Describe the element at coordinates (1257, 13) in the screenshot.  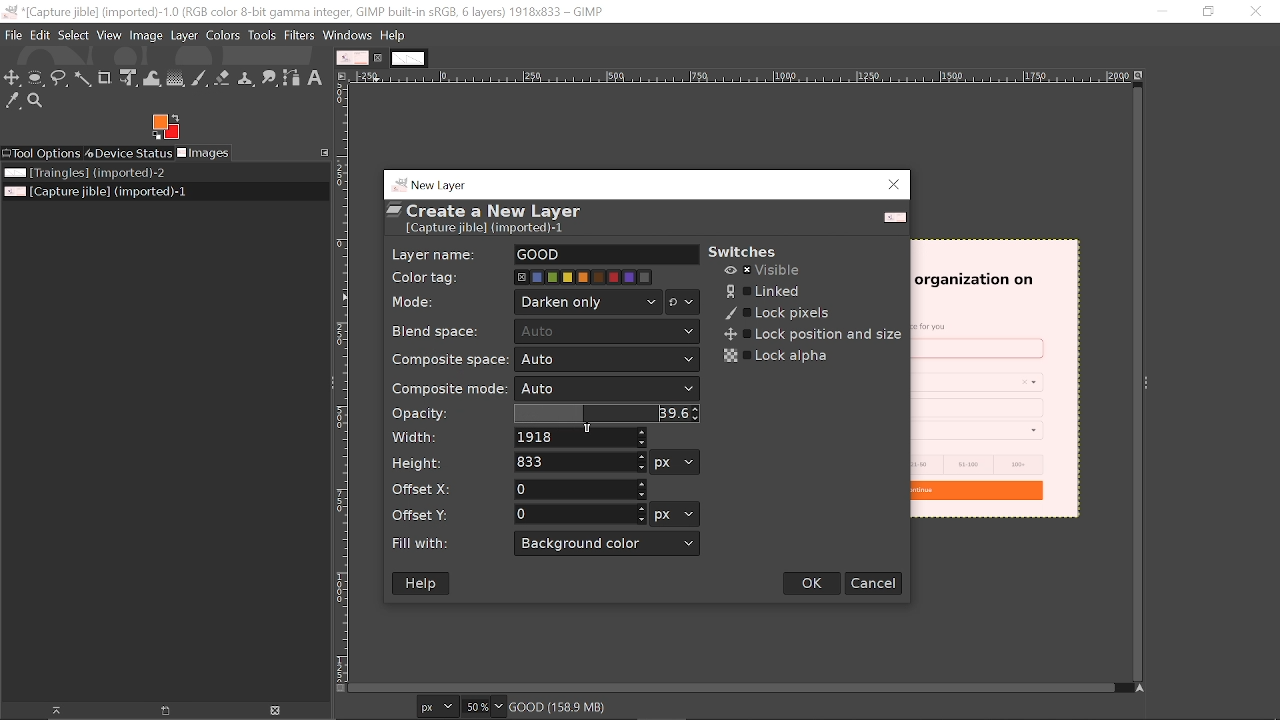
I see `Close` at that location.